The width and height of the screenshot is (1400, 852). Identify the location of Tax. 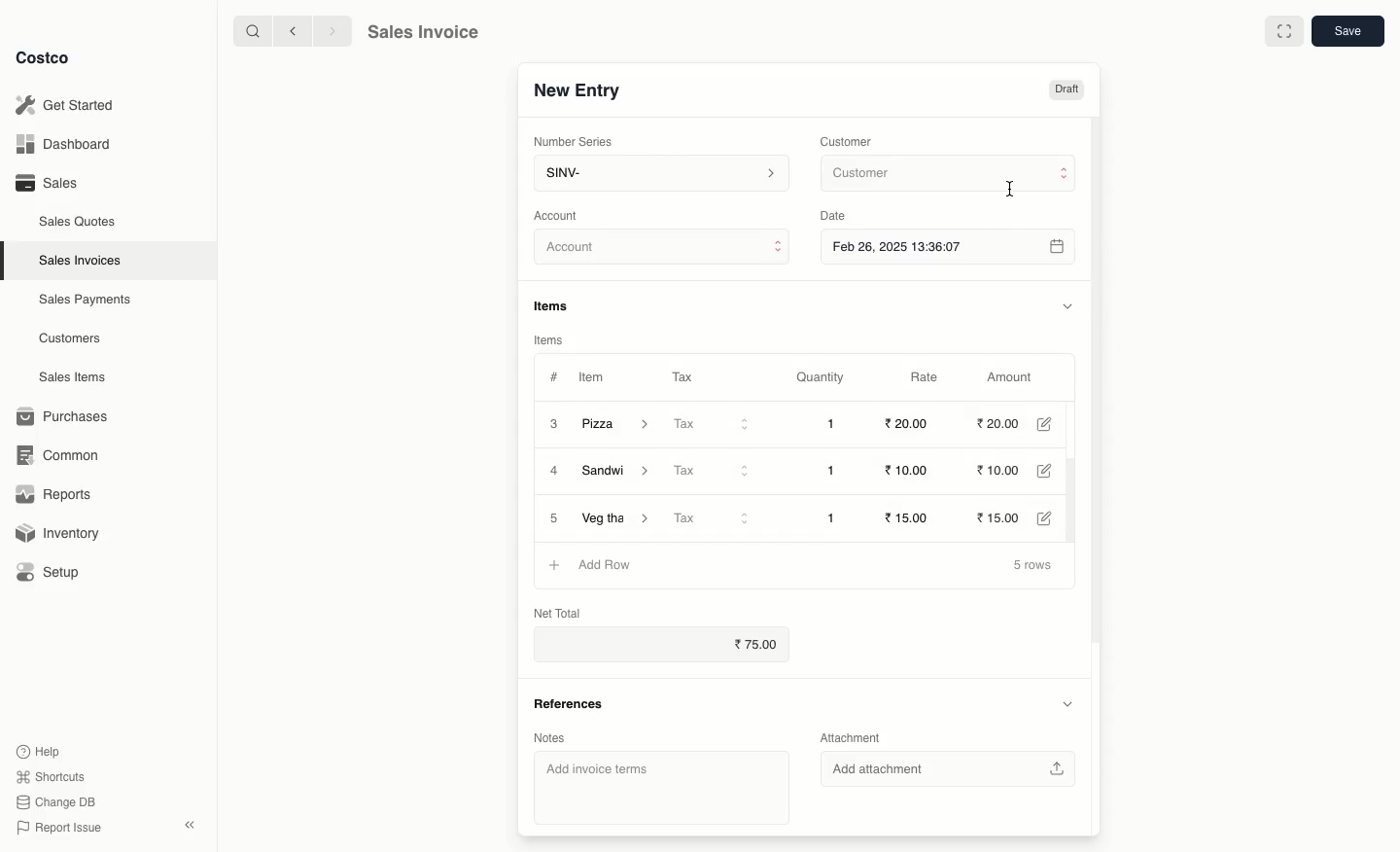
(682, 373).